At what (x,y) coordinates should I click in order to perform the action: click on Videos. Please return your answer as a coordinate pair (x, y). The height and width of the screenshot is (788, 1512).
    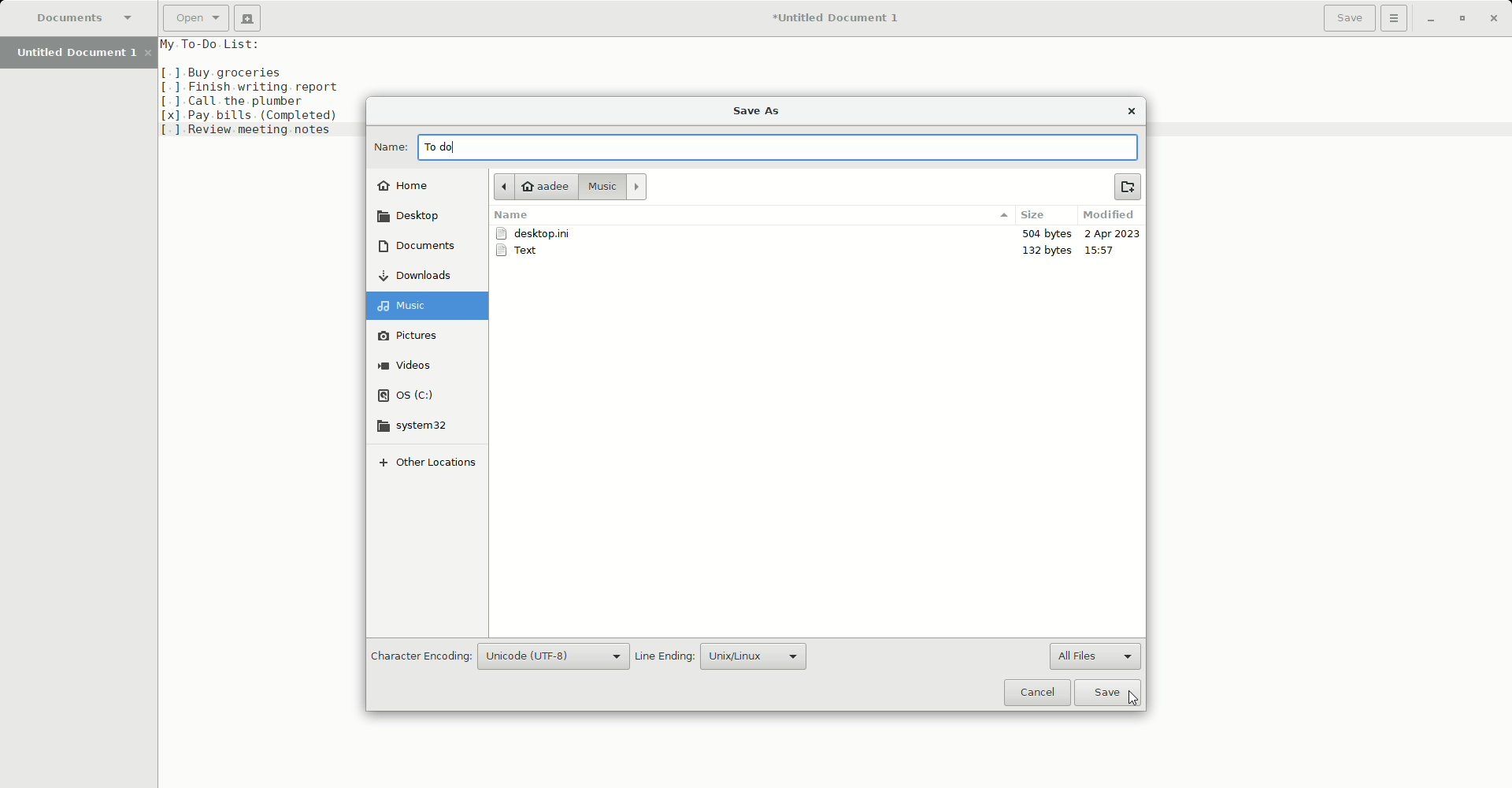
    Looking at the image, I should click on (417, 366).